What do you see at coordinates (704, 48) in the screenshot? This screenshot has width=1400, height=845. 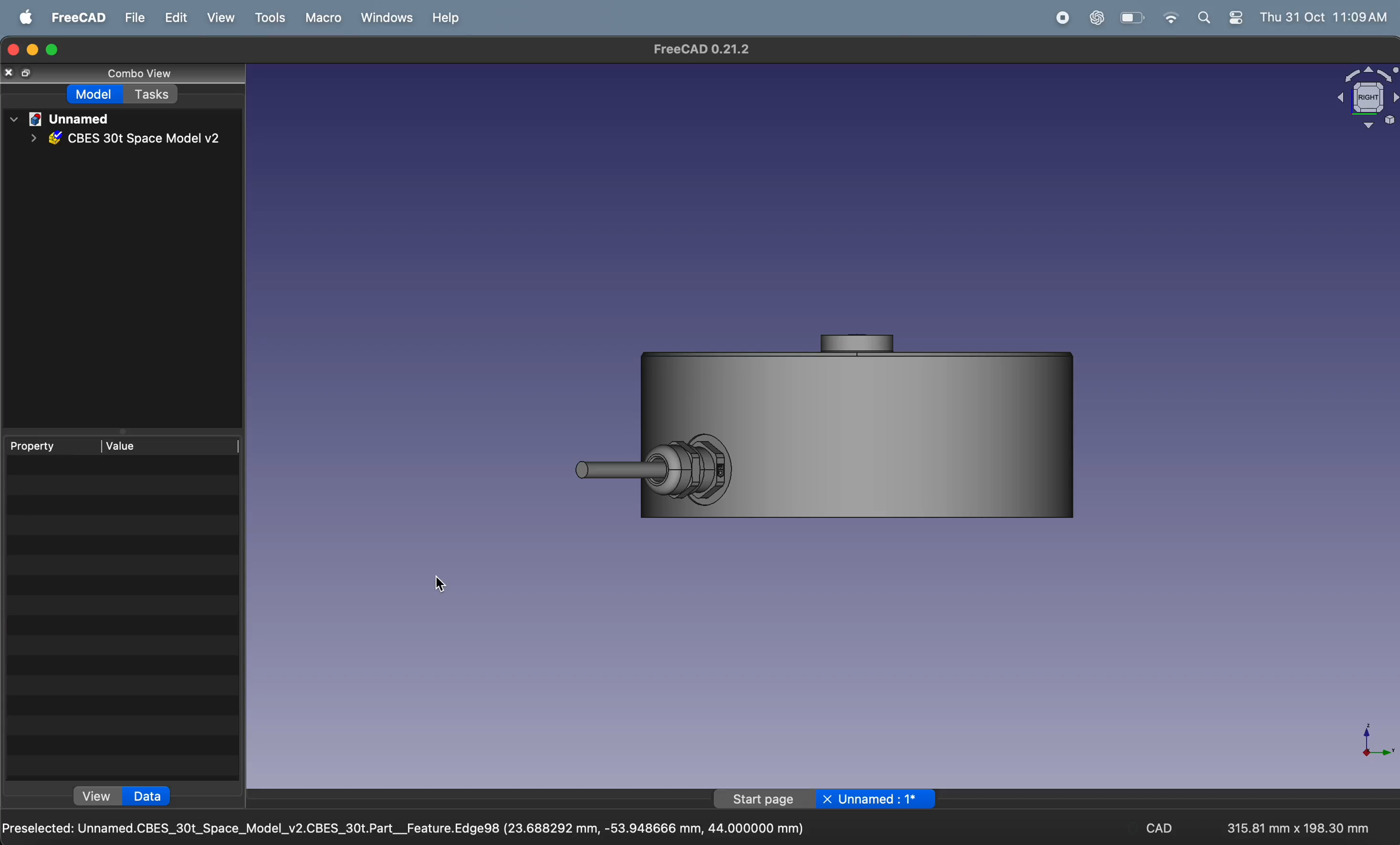 I see `FreeCAD 0.21.2` at bounding box center [704, 48].